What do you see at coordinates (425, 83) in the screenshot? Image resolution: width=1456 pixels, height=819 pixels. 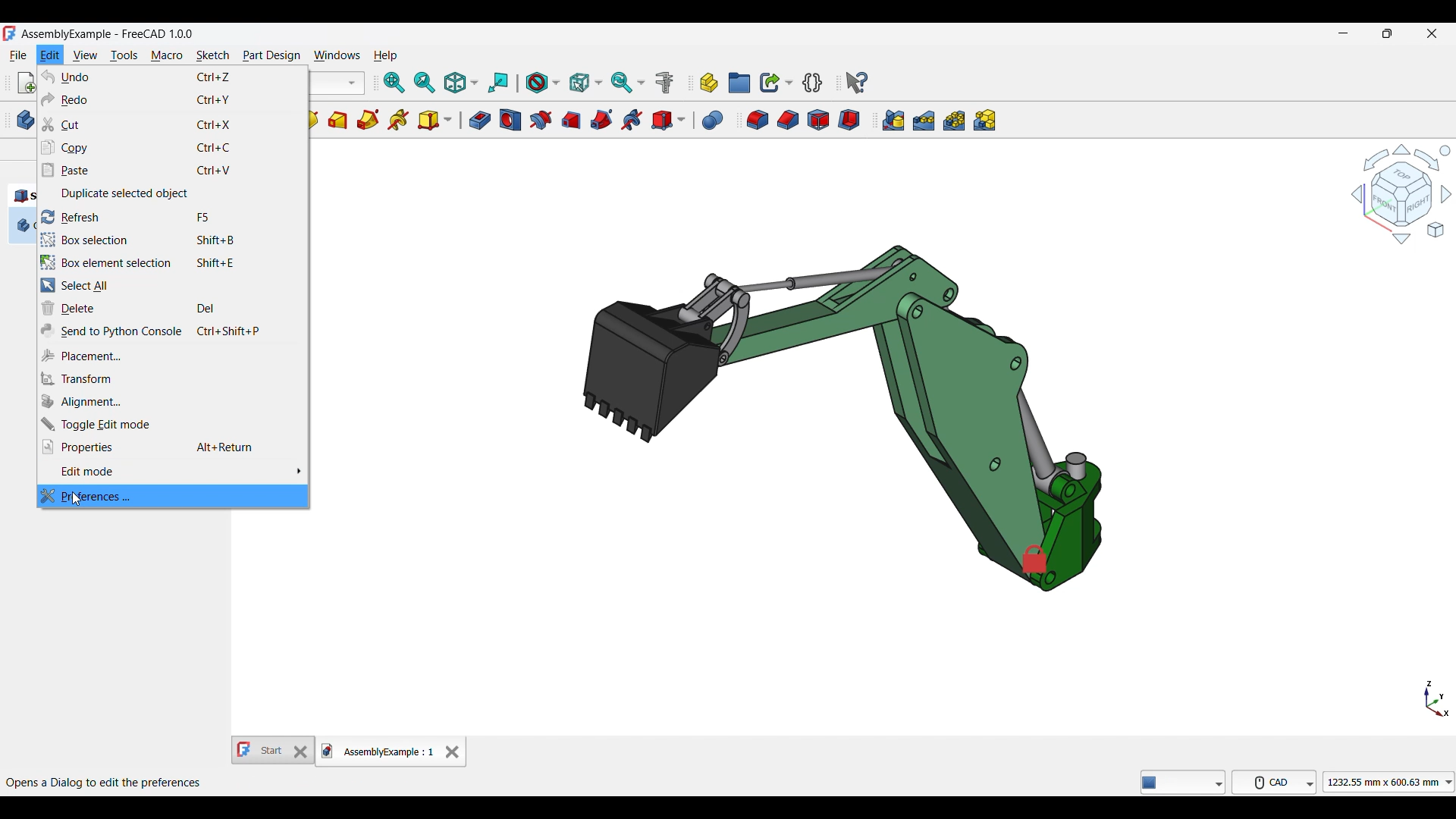 I see `Fit selection` at bounding box center [425, 83].